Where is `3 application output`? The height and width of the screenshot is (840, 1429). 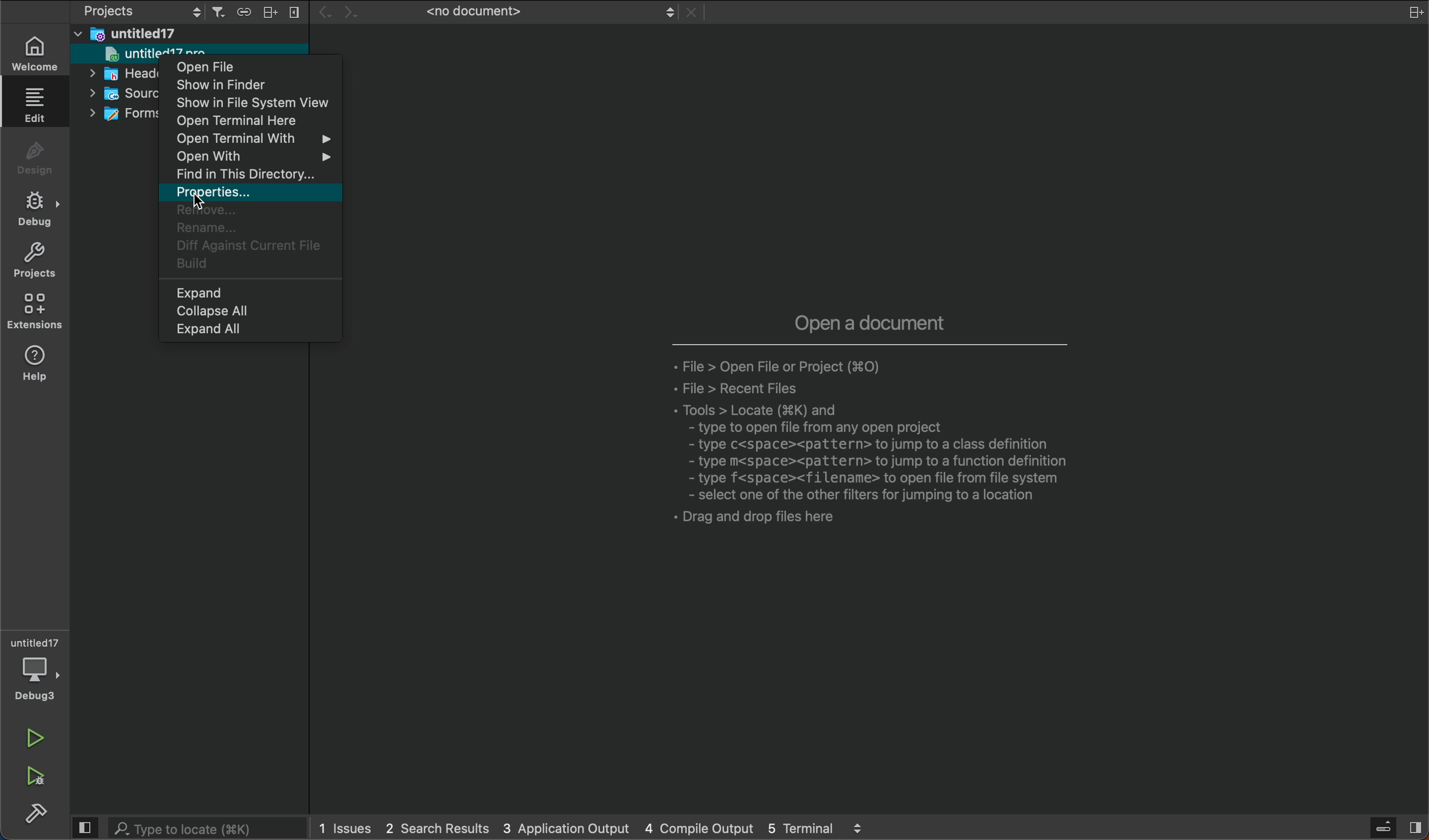
3 application output is located at coordinates (569, 829).